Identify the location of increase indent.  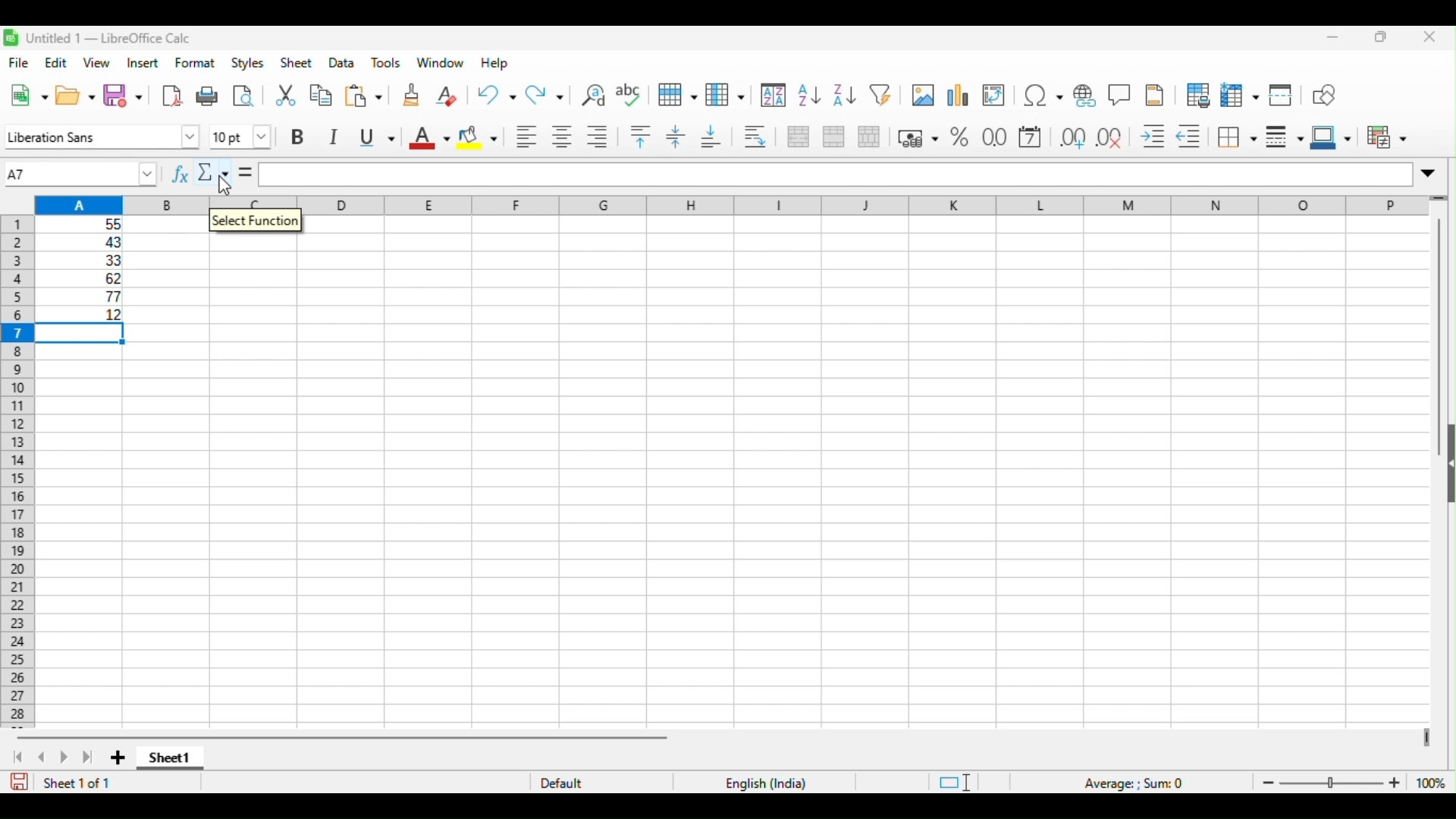
(1156, 137).